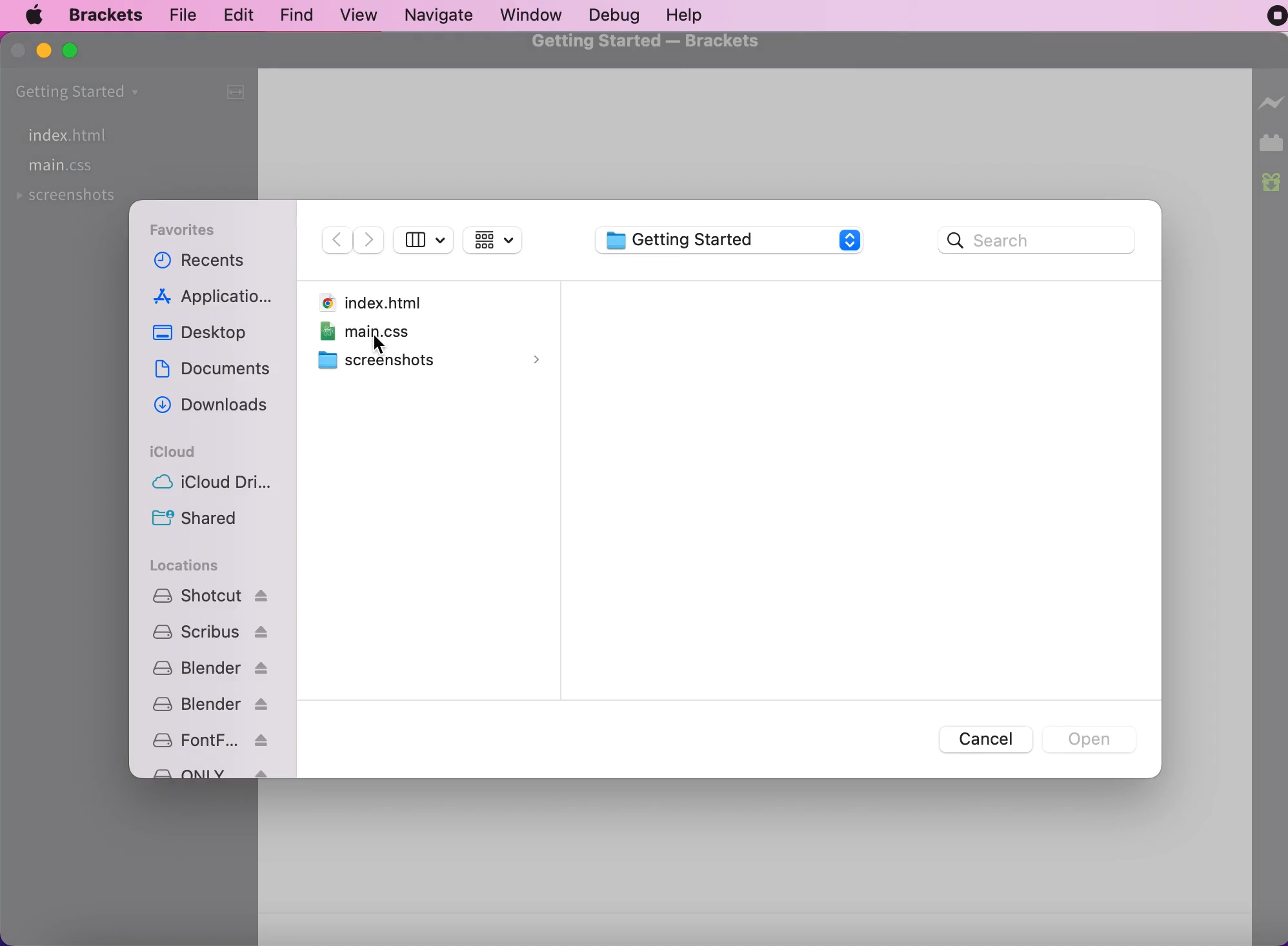 The height and width of the screenshot is (946, 1288). What do you see at coordinates (647, 45) in the screenshot?
I see `Getting started - brackets` at bounding box center [647, 45].